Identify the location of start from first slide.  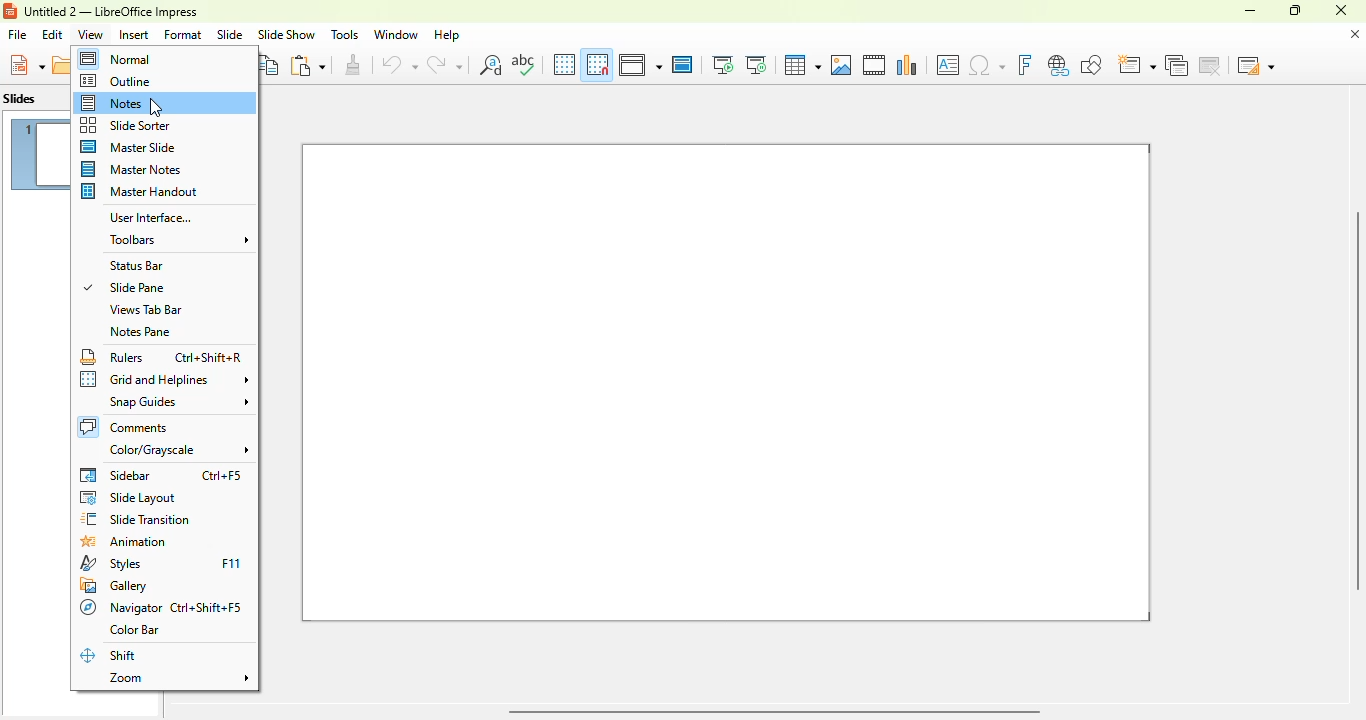
(723, 64).